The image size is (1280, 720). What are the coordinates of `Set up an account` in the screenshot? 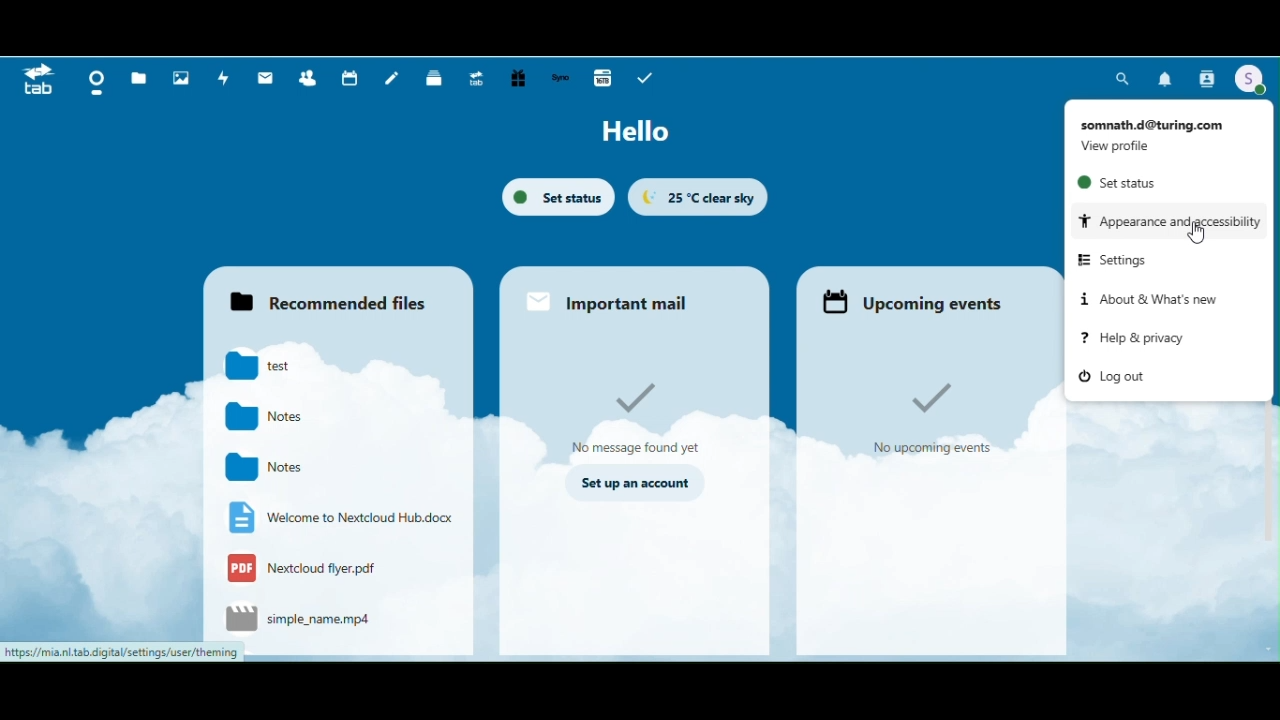 It's located at (634, 484).